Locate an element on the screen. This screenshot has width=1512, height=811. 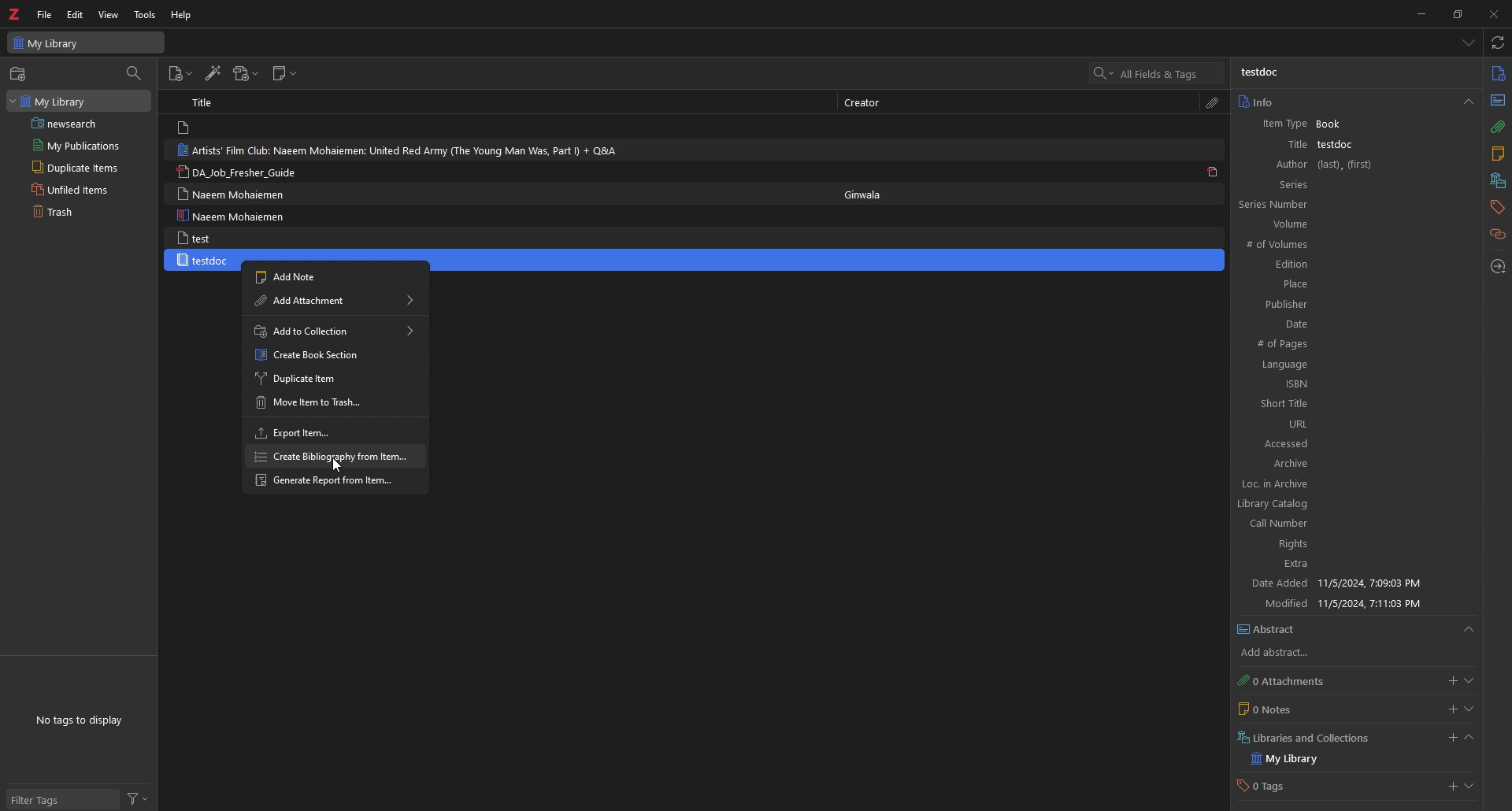
Artists’ Film Club: Naeem Mohaiemen: United Red Army is located at coordinates (409, 150).